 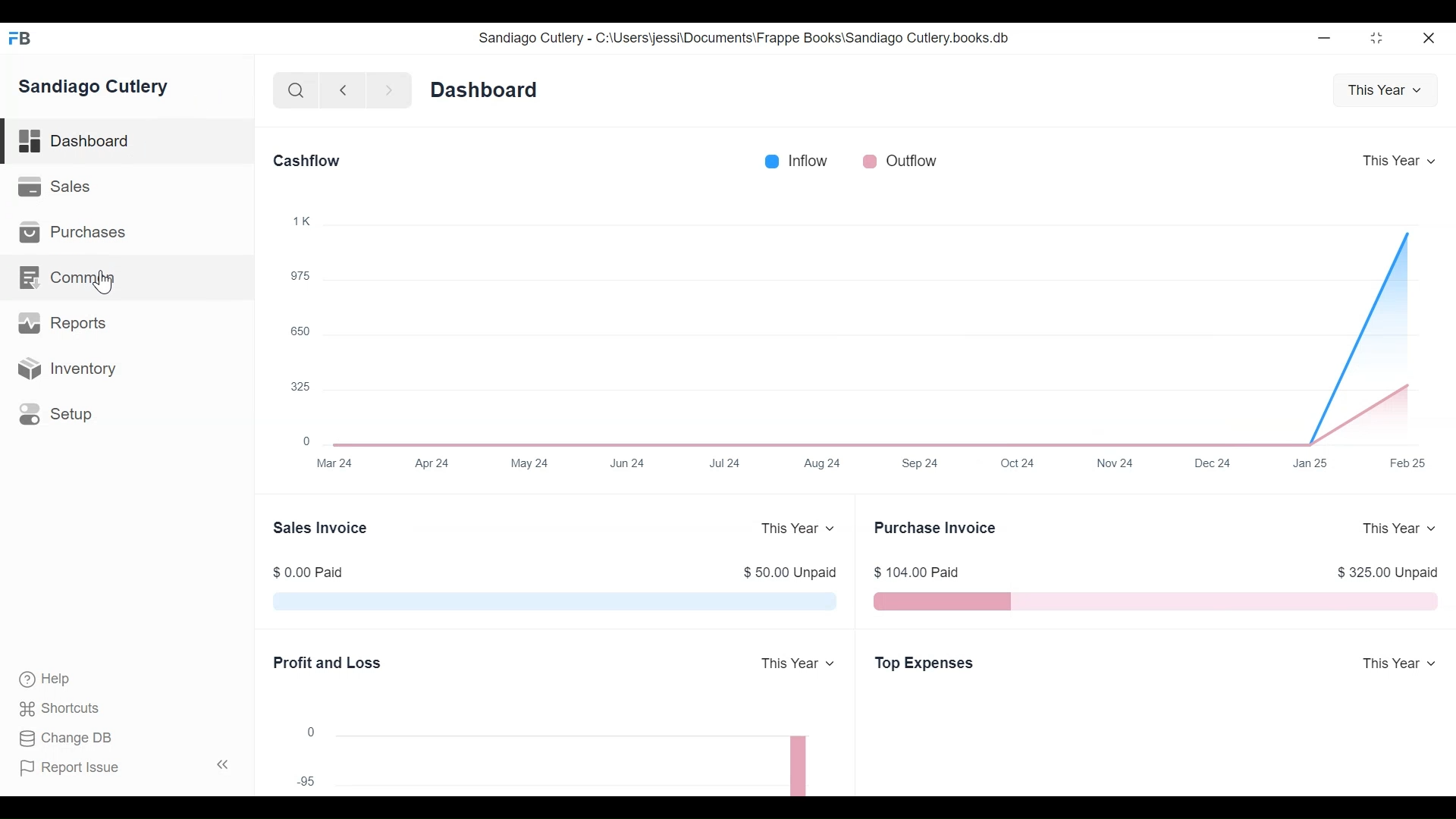 What do you see at coordinates (485, 89) in the screenshot?
I see `Dashboard` at bounding box center [485, 89].